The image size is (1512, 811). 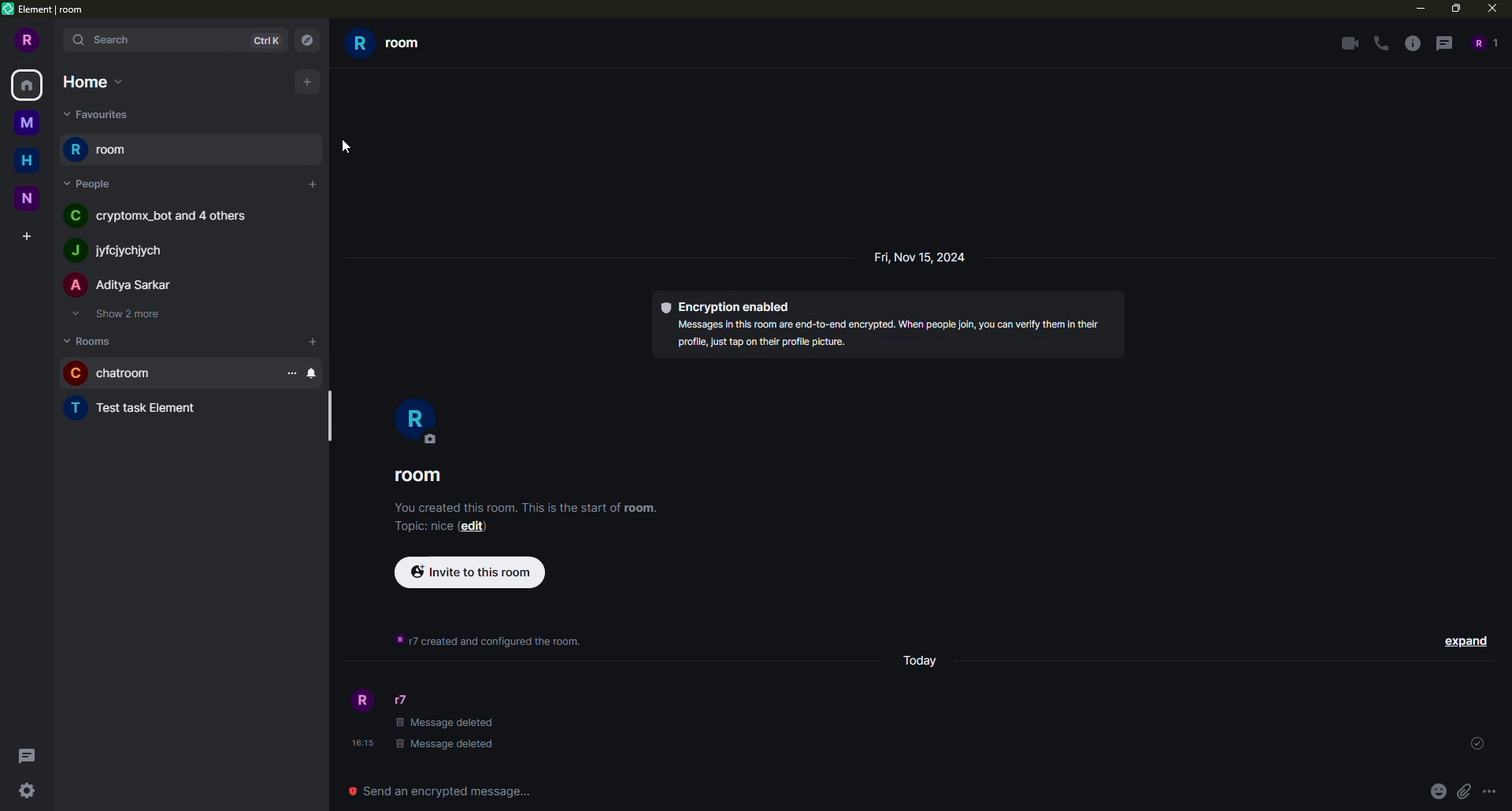 What do you see at coordinates (446, 789) in the screenshot?
I see `send encrypted message` at bounding box center [446, 789].